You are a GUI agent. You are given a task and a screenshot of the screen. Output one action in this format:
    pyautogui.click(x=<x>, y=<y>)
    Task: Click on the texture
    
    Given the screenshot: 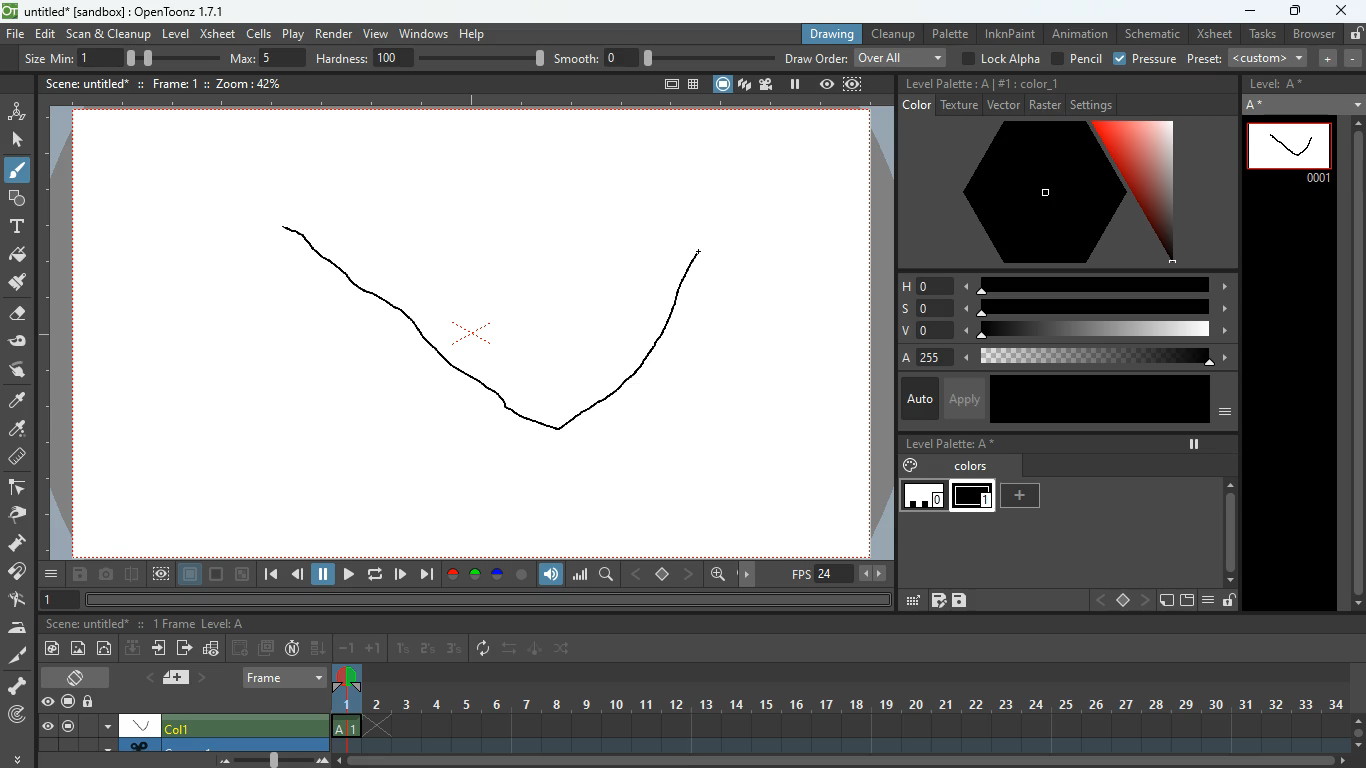 What is the action you would take?
    pyautogui.click(x=959, y=105)
    